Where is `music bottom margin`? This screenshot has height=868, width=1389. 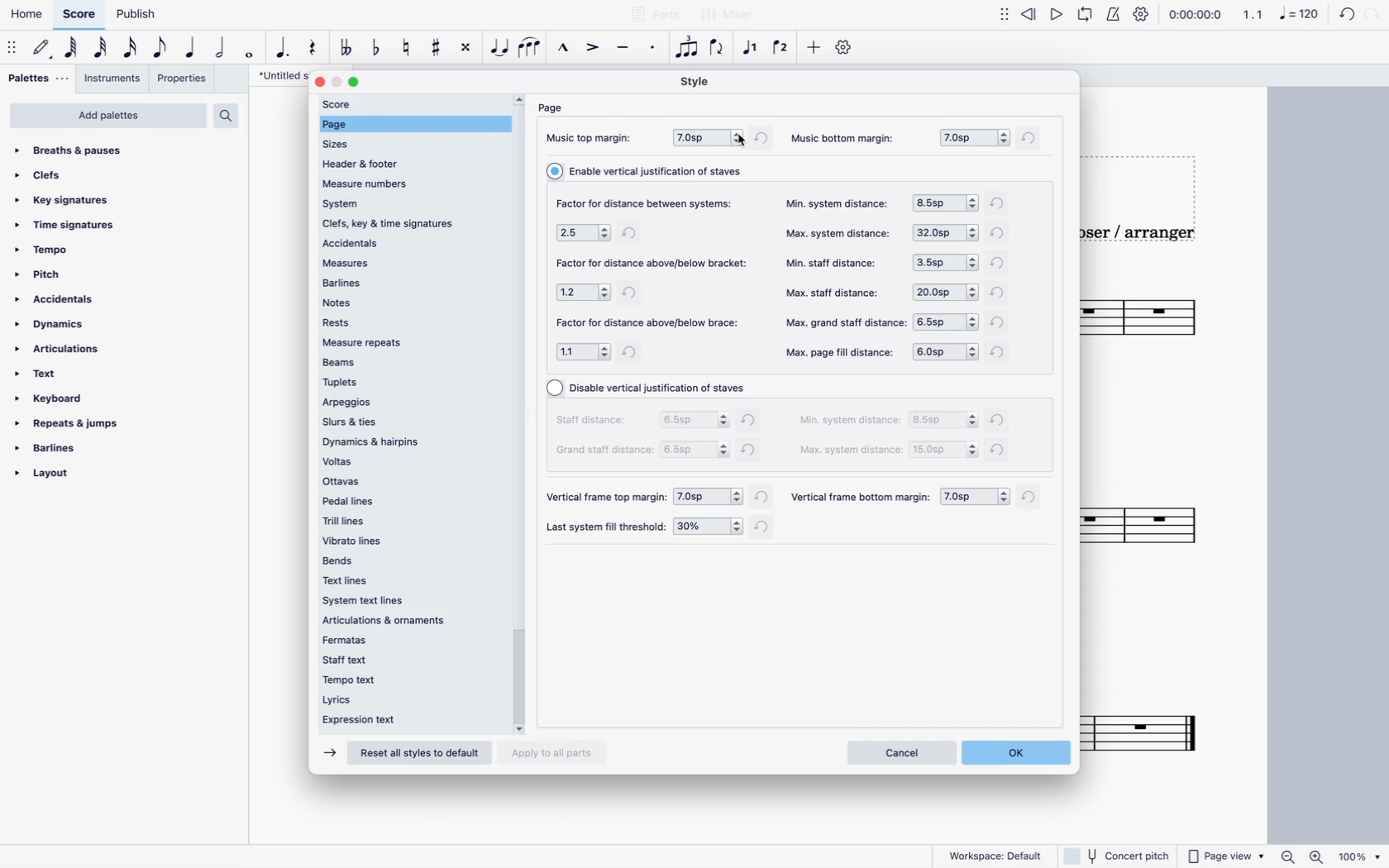 music bottom margin is located at coordinates (846, 138).